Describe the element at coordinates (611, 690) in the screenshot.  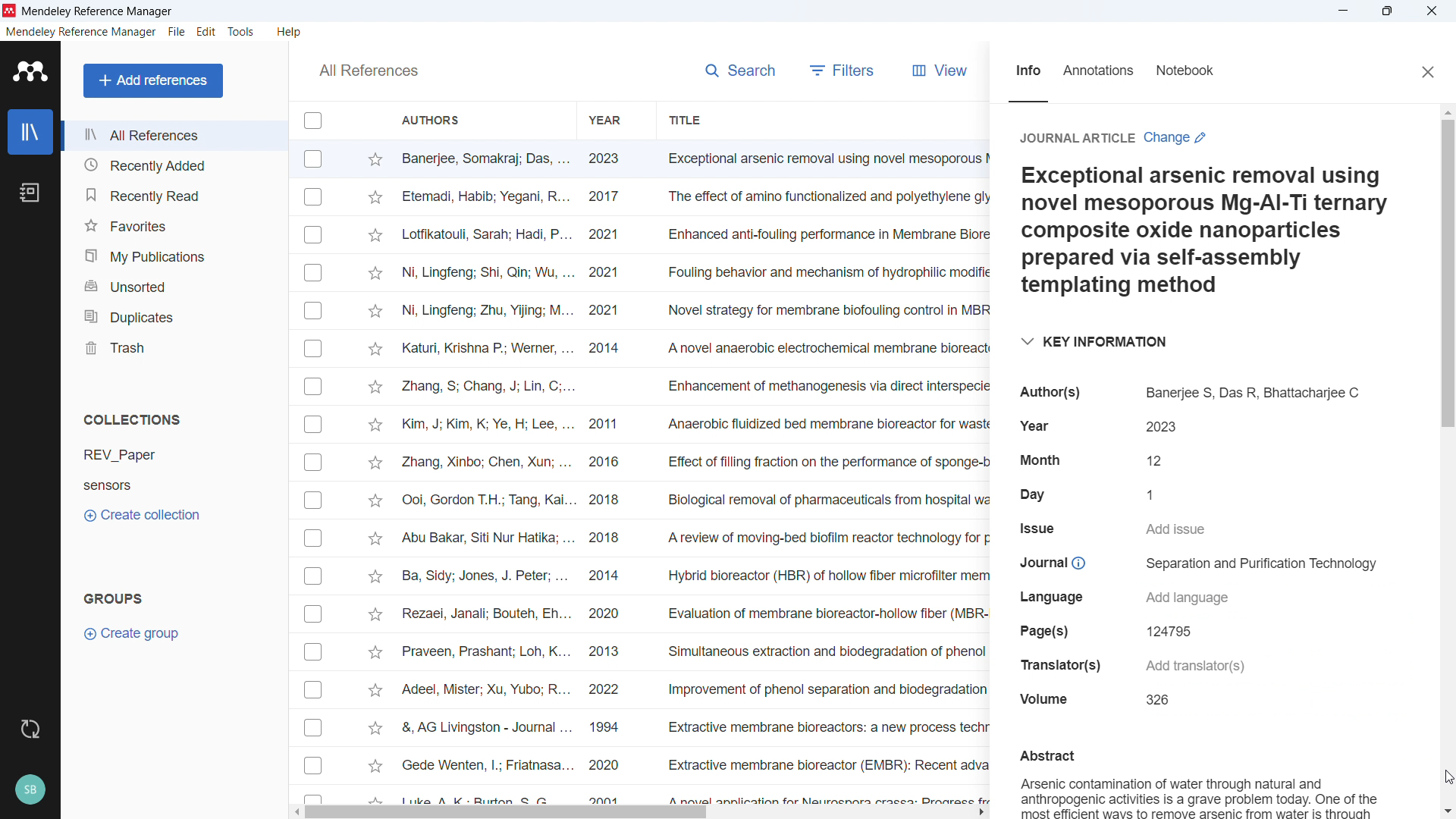
I see `2022` at that location.